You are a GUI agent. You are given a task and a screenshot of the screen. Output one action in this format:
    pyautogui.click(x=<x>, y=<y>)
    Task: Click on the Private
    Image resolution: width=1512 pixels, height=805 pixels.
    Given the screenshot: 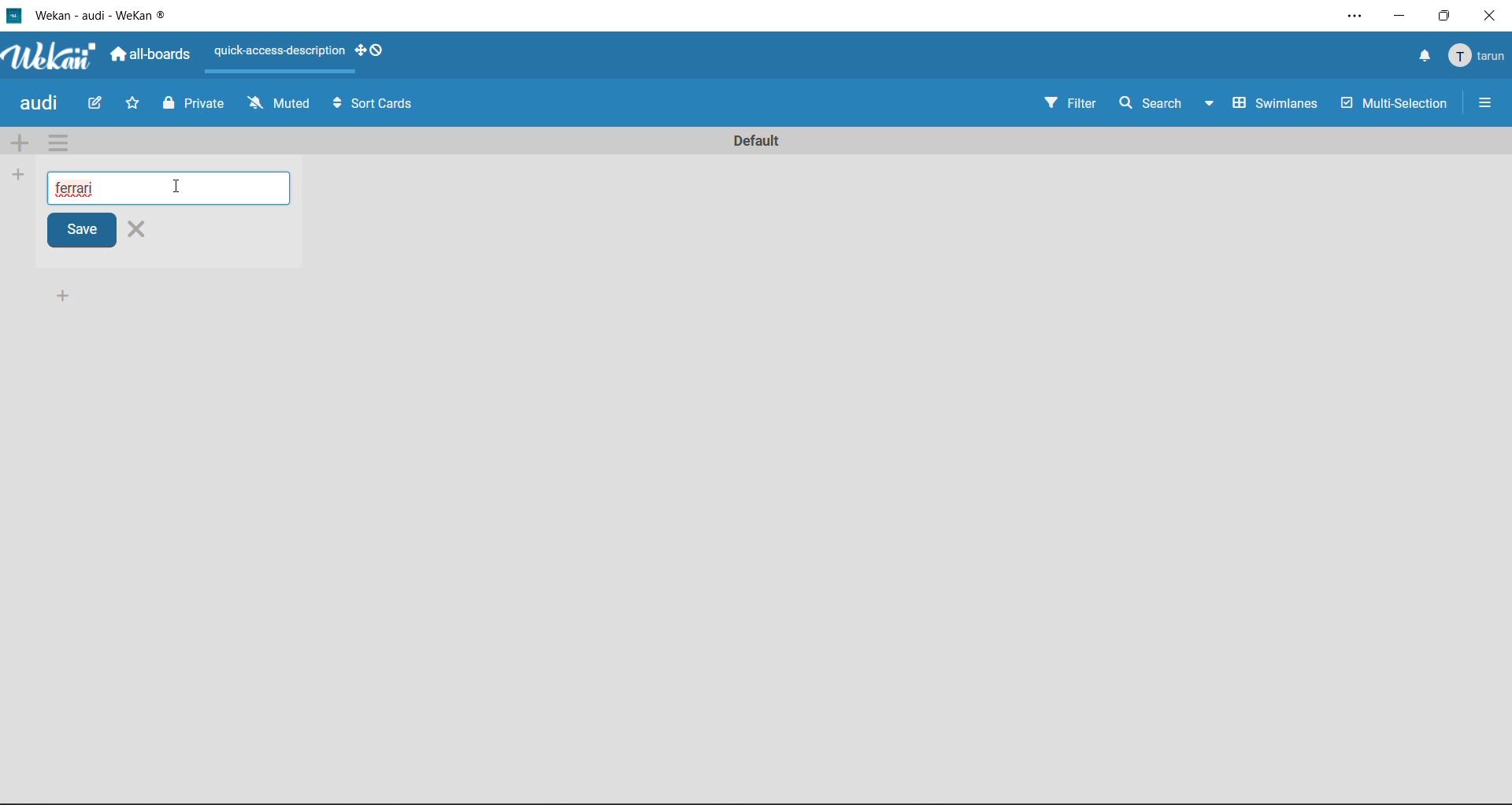 What is the action you would take?
    pyautogui.click(x=192, y=106)
    